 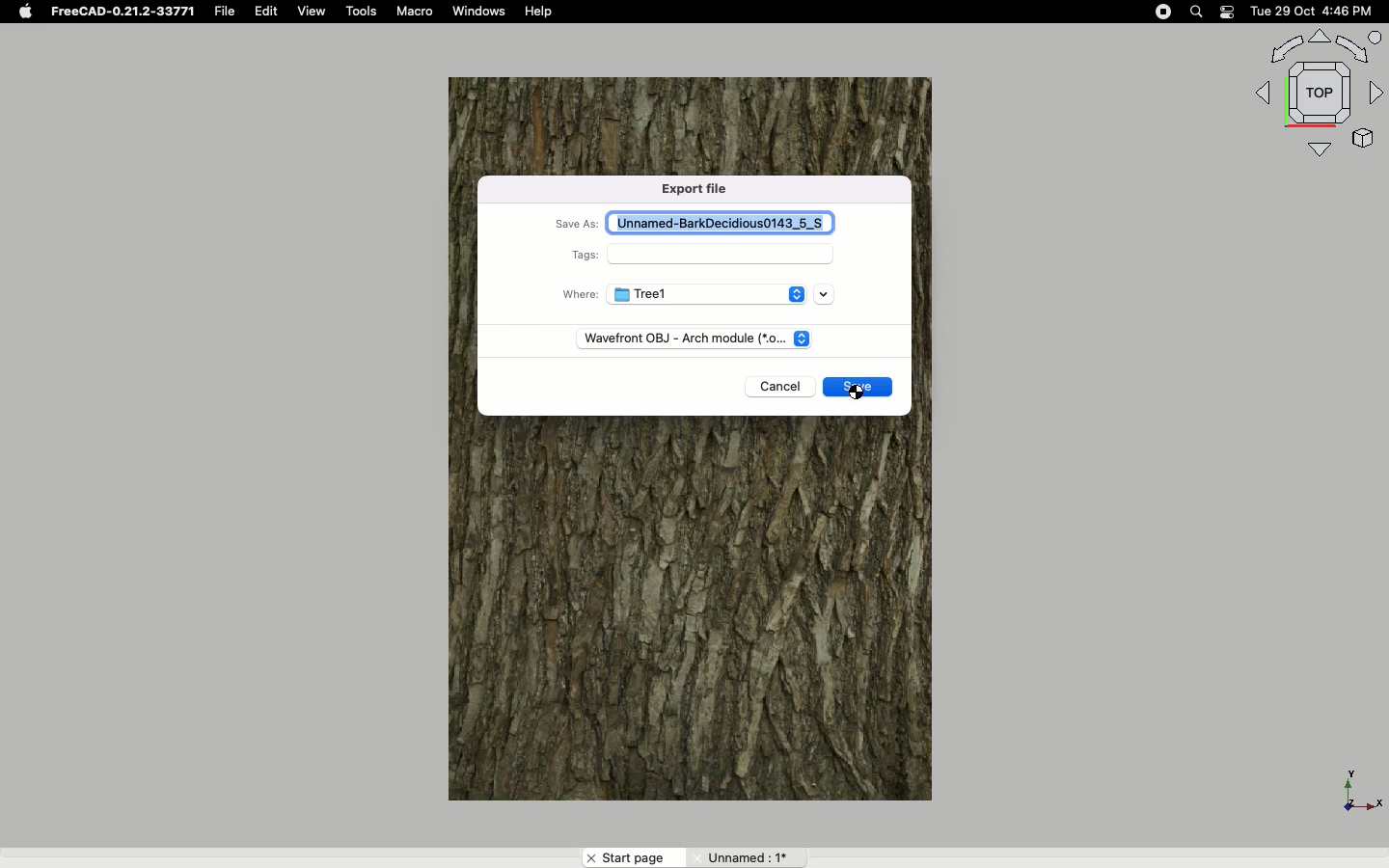 I want to click on FreeCAD, so click(x=121, y=12).